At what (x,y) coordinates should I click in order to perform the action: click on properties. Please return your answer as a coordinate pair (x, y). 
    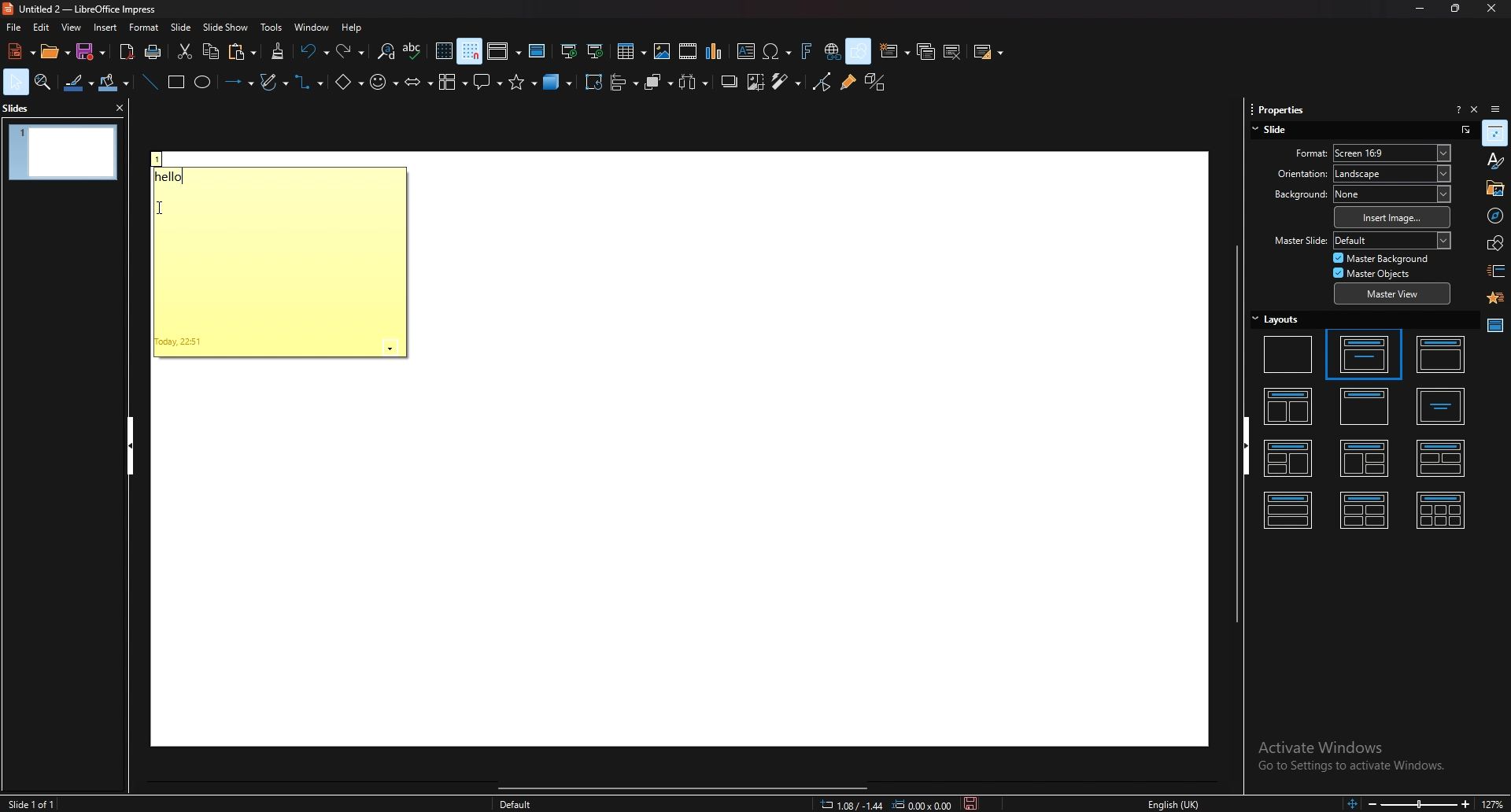
    Looking at the image, I should click on (1278, 107).